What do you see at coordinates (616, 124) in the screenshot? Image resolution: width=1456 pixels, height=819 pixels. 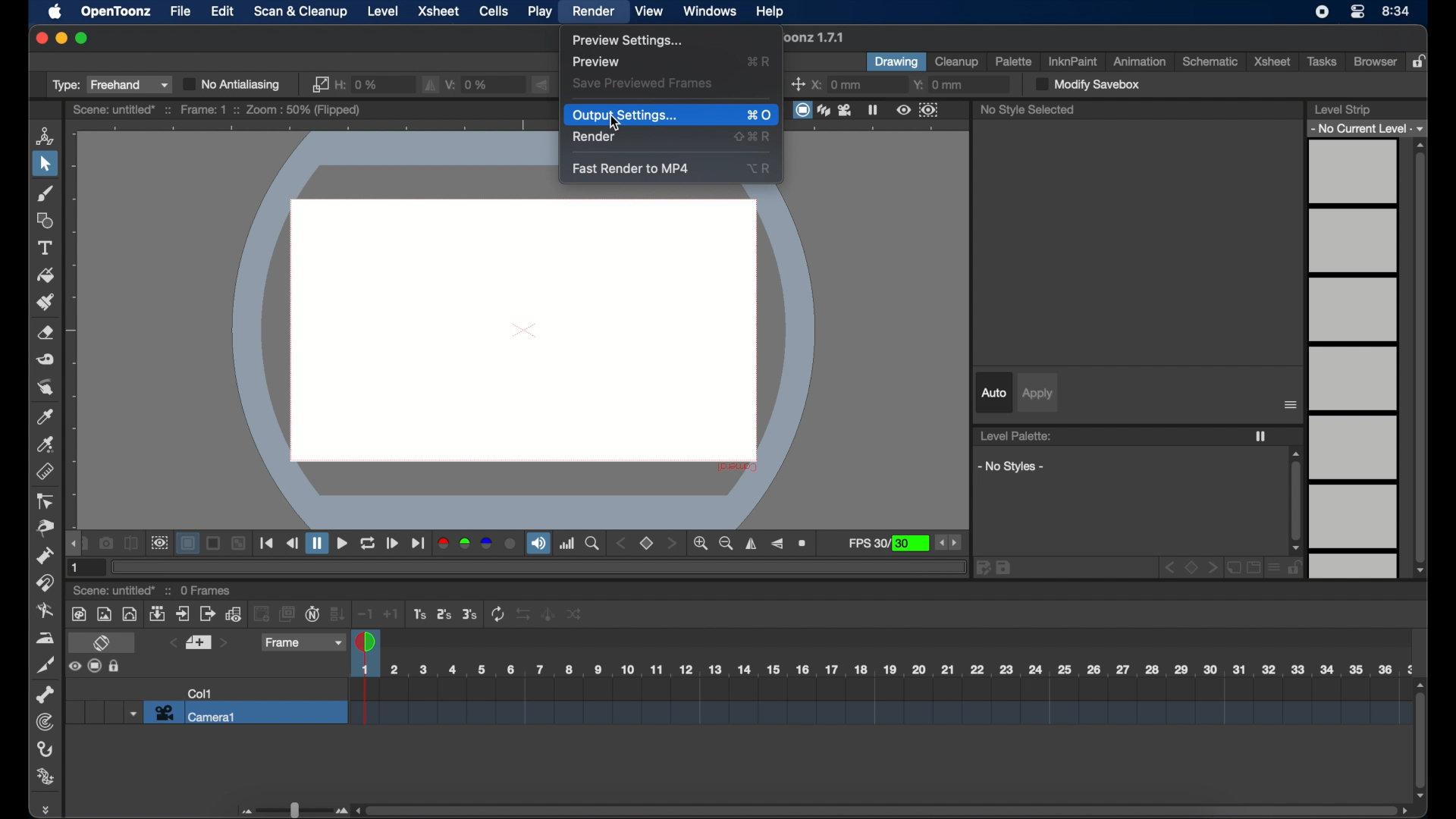 I see `` at bounding box center [616, 124].